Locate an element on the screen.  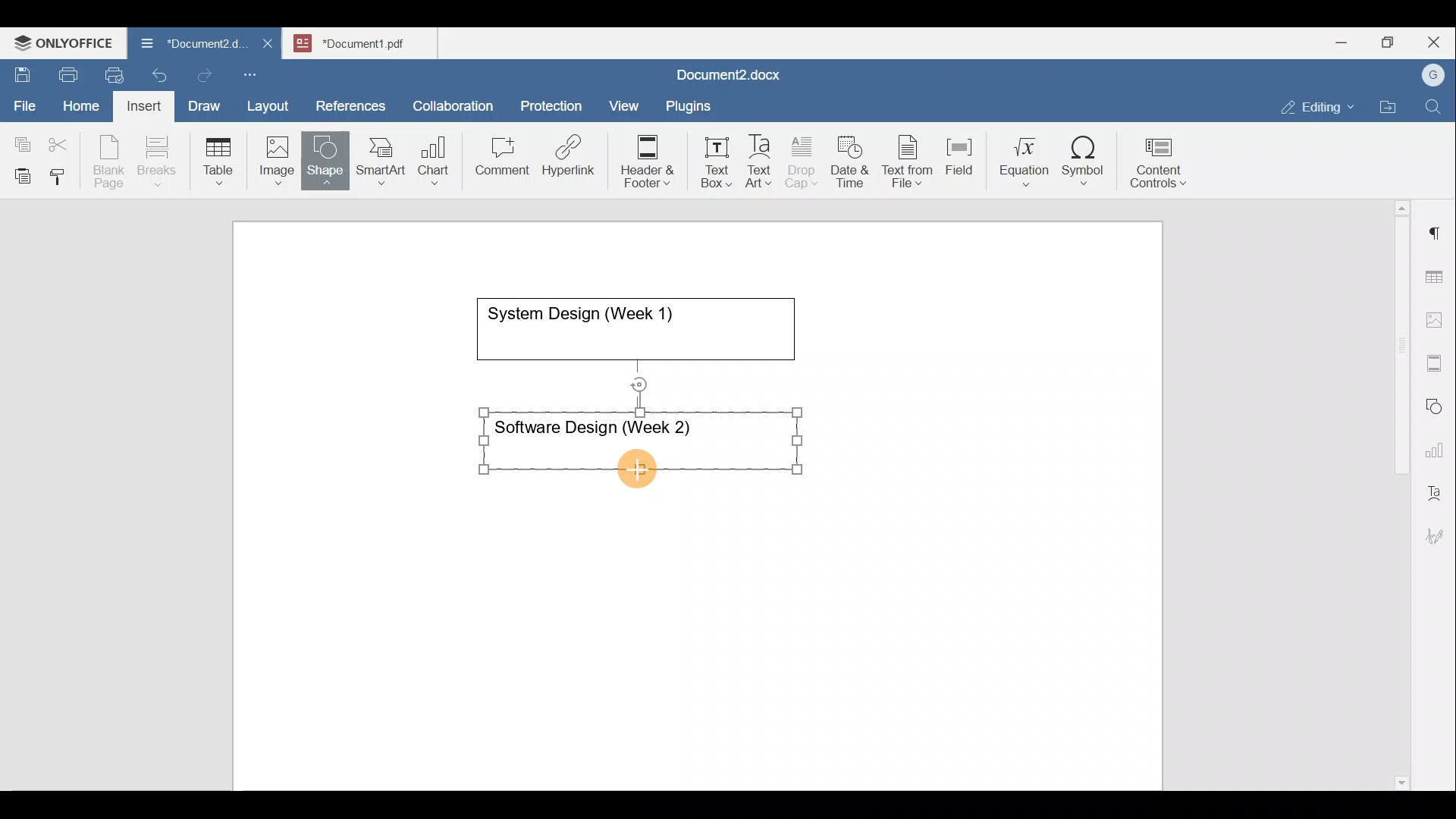
Copy is located at coordinates (20, 140).